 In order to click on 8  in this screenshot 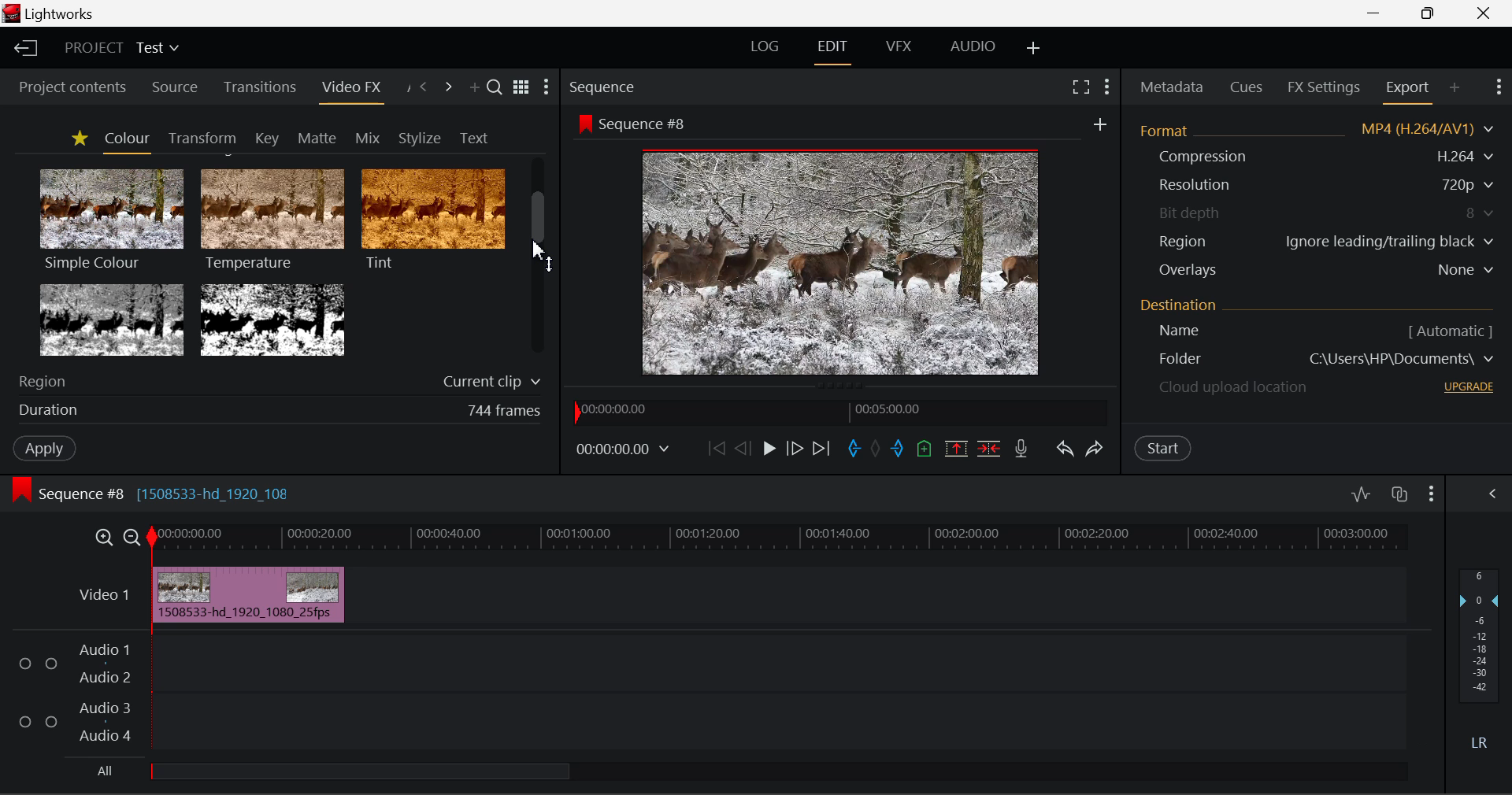, I will do `click(1481, 213)`.